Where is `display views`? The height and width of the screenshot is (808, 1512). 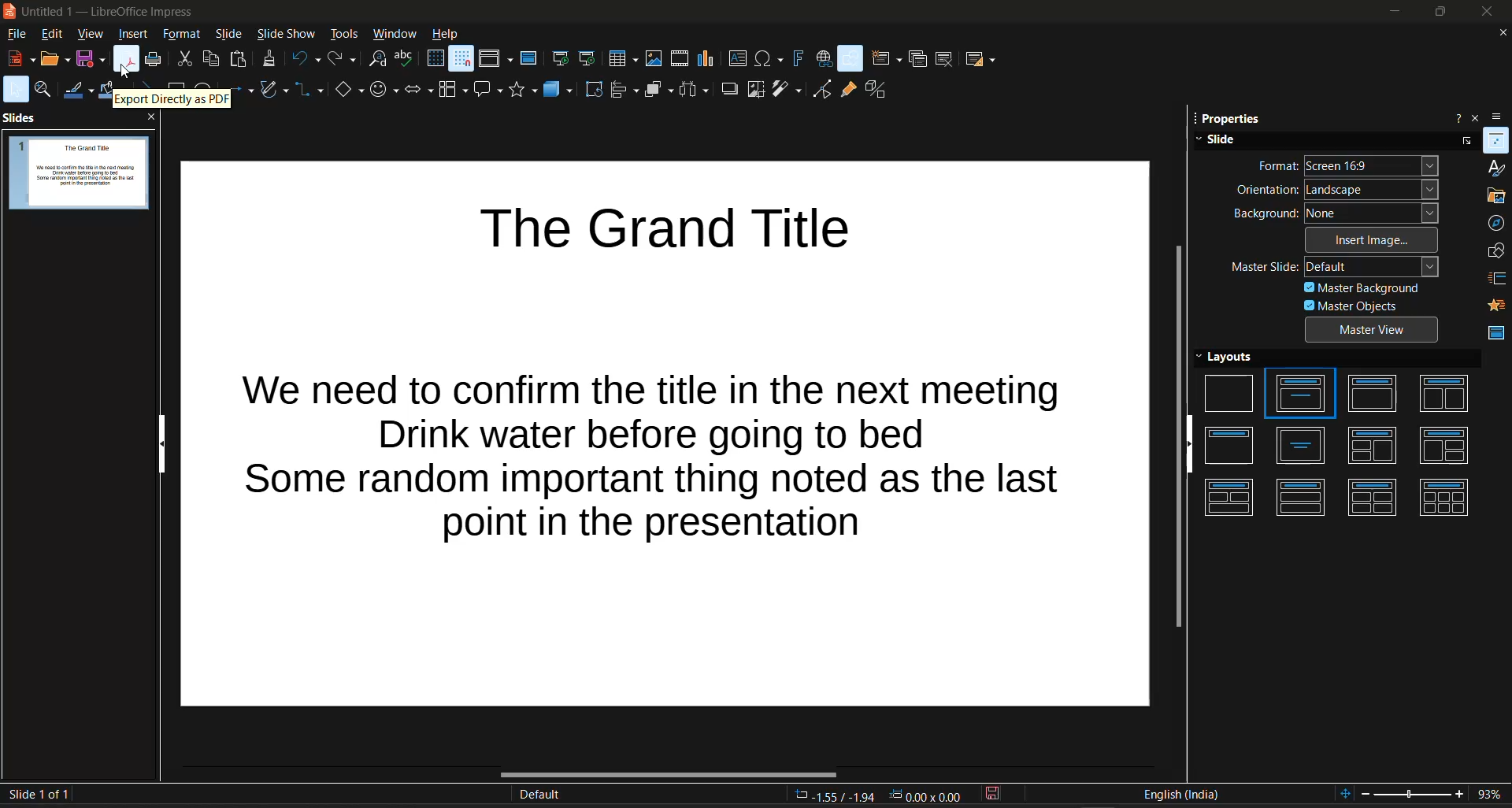
display views is located at coordinates (497, 57).